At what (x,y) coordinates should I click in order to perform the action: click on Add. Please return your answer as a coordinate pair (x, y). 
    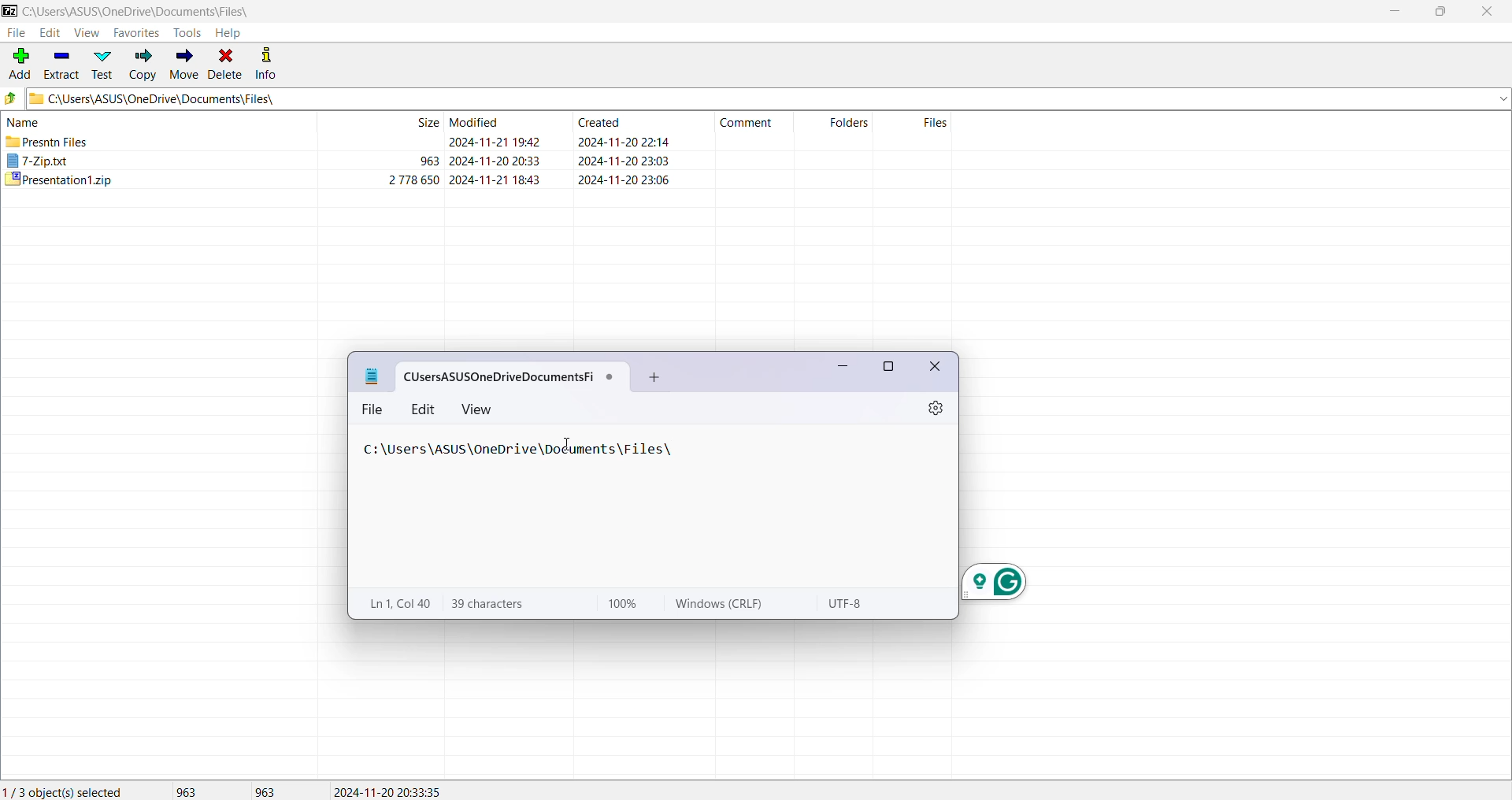
    Looking at the image, I should click on (18, 64).